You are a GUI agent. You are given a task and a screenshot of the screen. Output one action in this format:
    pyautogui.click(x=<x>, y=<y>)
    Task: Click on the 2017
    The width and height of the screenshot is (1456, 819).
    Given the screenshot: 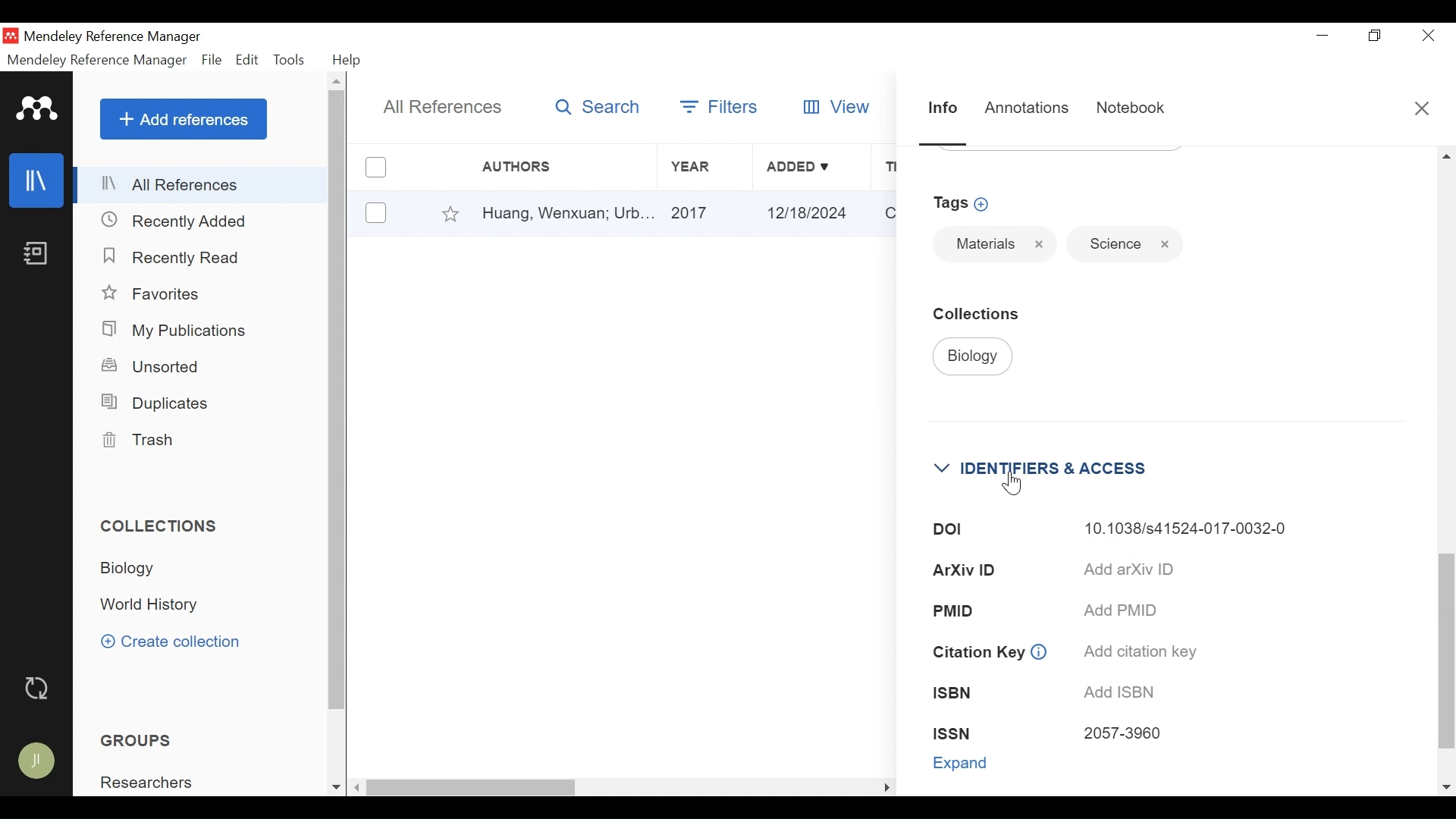 What is the action you would take?
    pyautogui.click(x=706, y=214)
    